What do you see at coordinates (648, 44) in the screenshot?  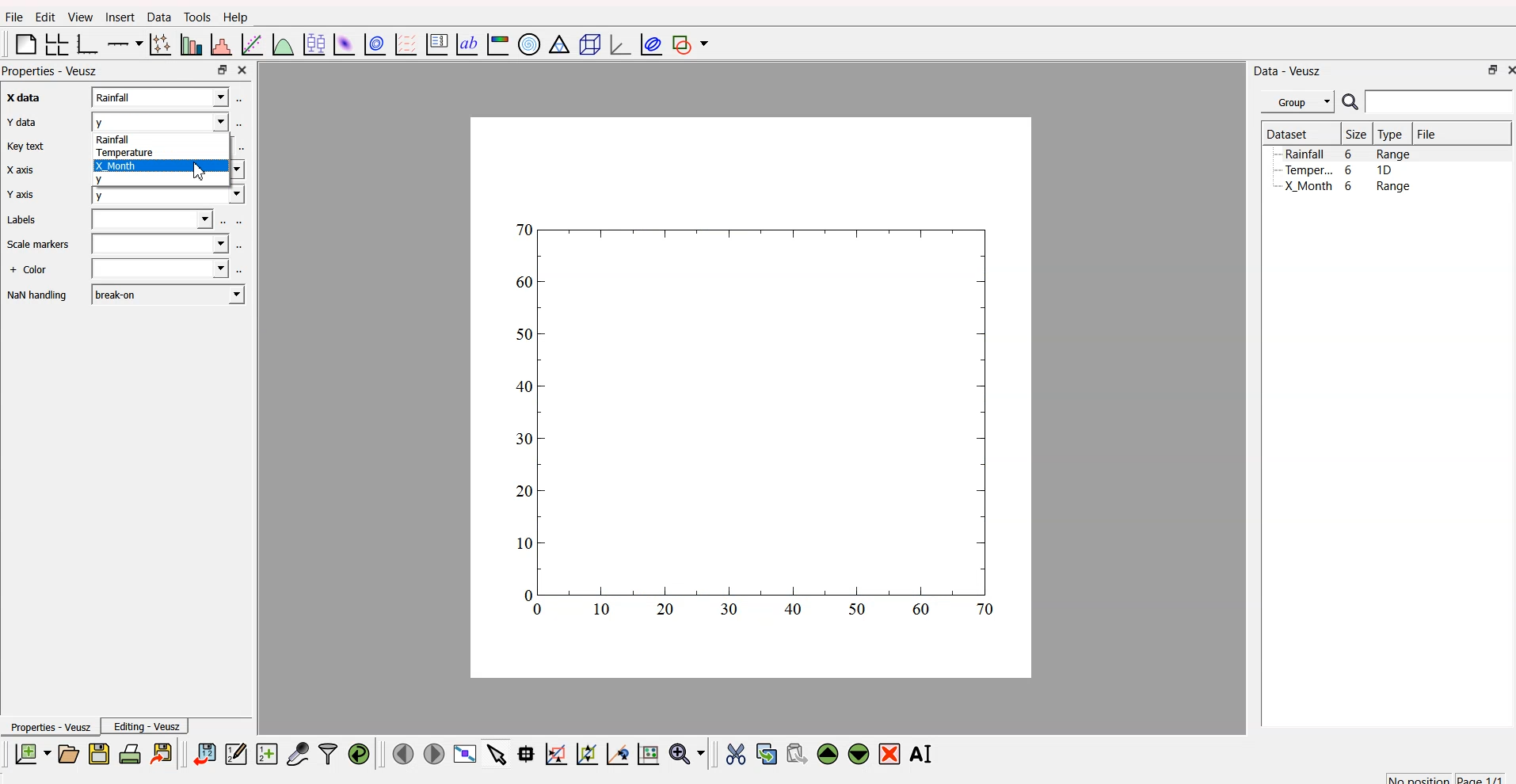 I see `plot covariance ellipses` at bounding box center [648, 44].